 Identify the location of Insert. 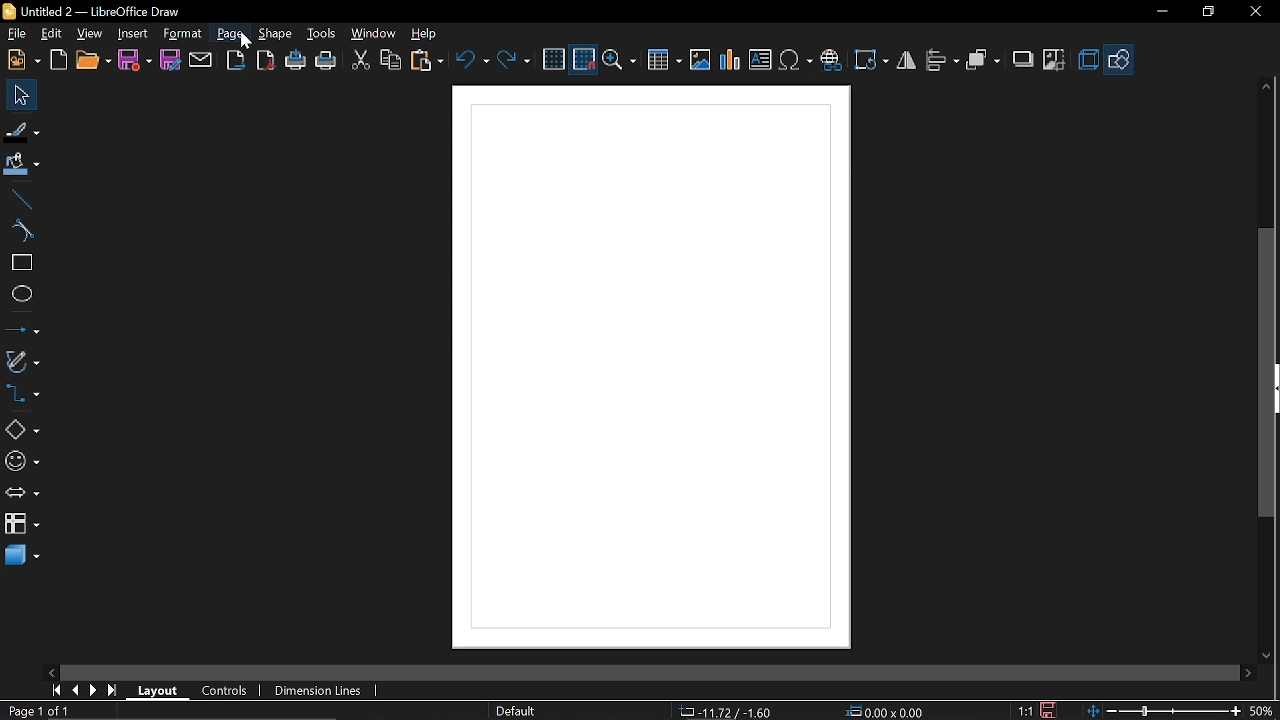
(134, 34).